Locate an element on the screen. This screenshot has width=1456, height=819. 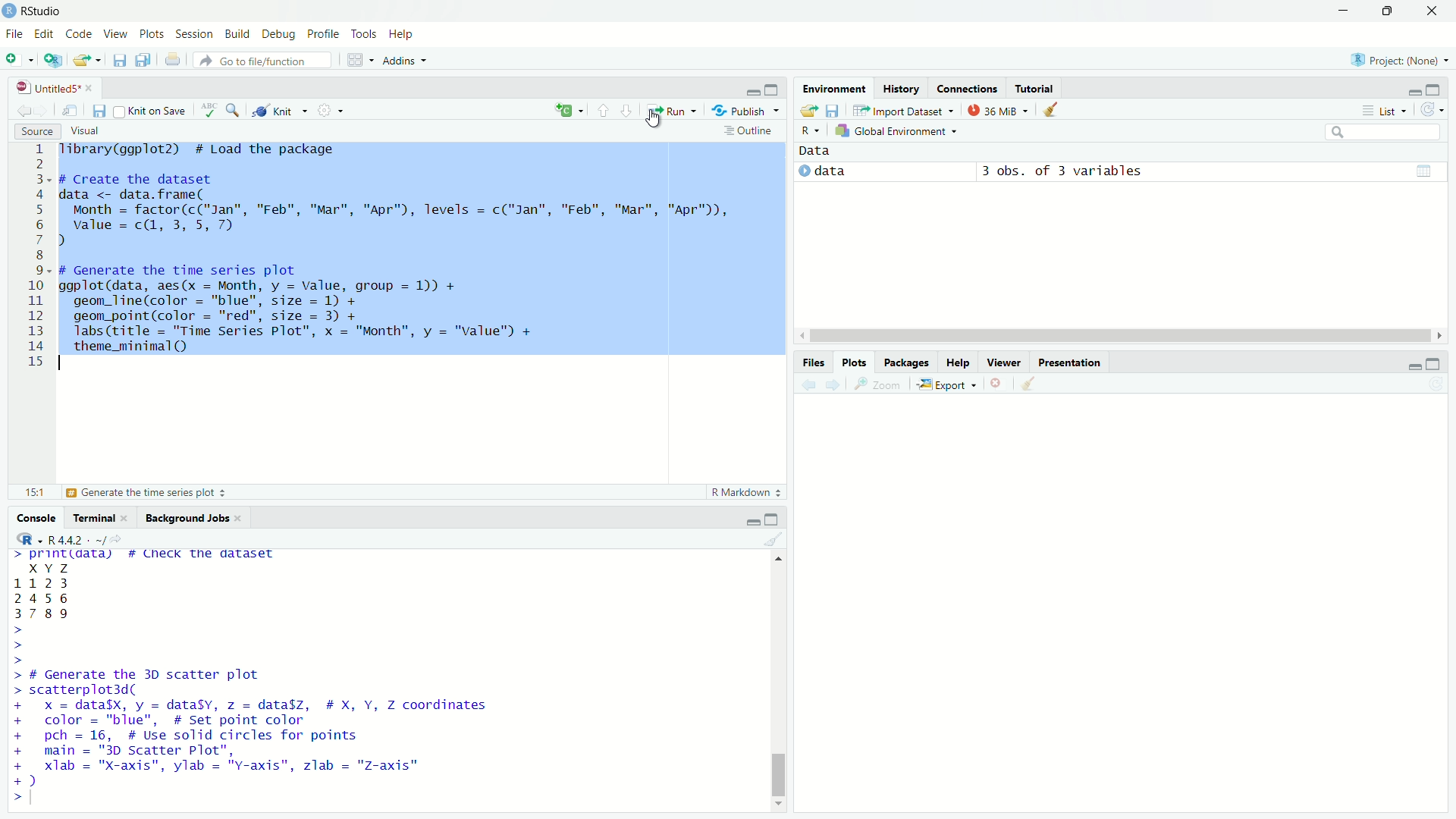
R Markdown is located at coordinates (746, 494).